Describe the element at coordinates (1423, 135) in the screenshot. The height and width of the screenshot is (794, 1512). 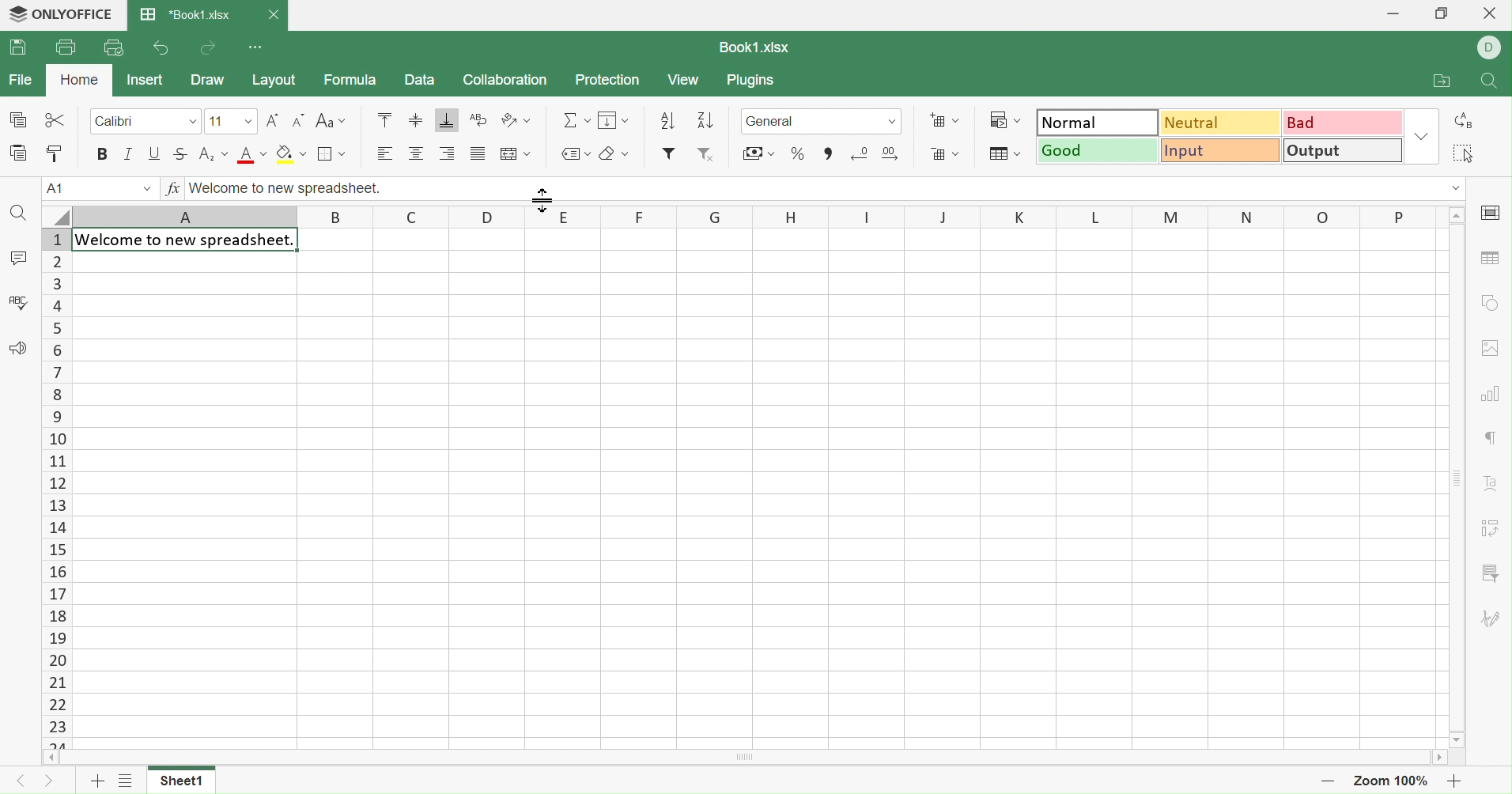
I see `Drop Down` at that location.